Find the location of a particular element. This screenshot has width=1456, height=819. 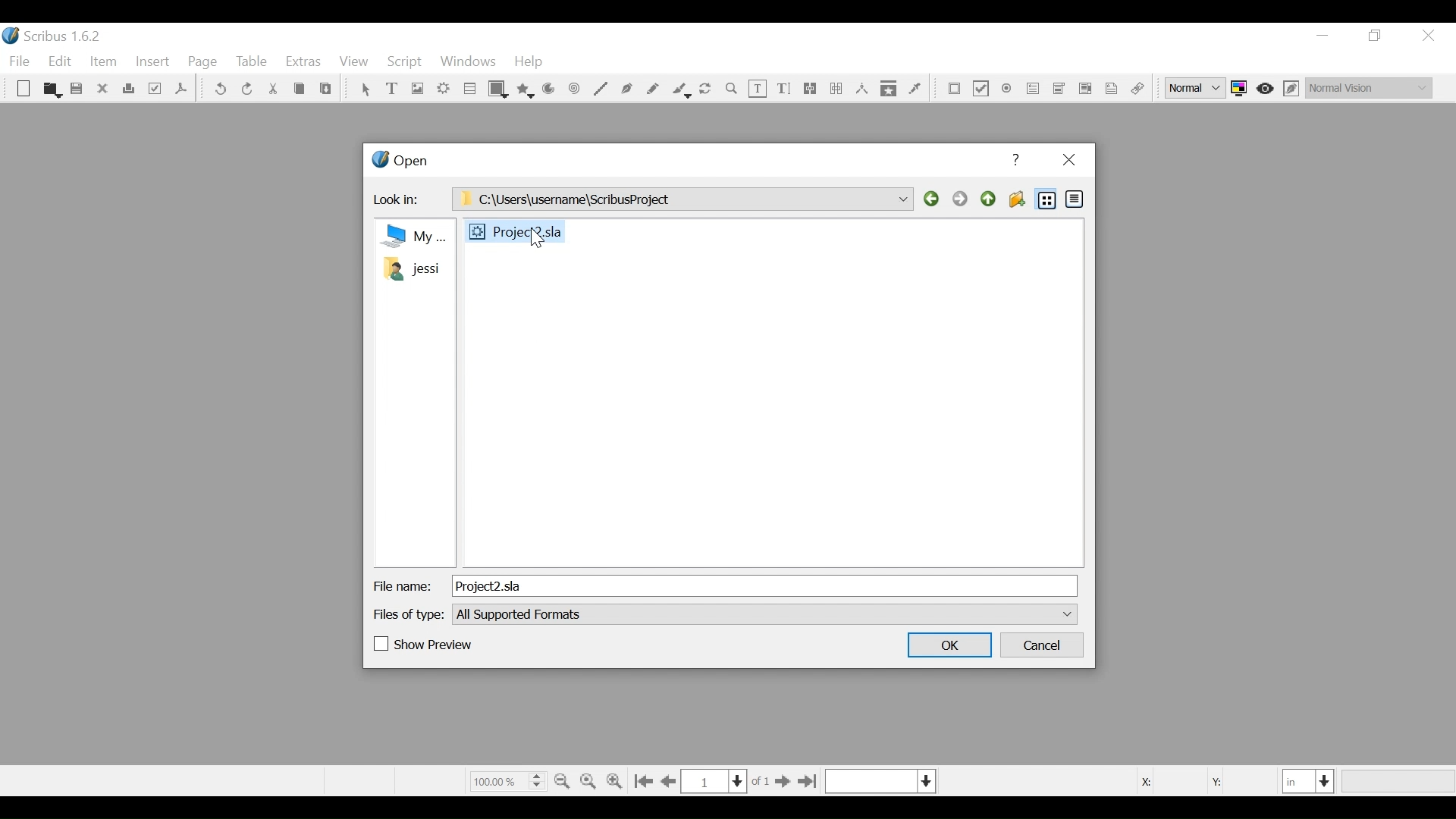

Files of Type is located at coordinates (410, 613).